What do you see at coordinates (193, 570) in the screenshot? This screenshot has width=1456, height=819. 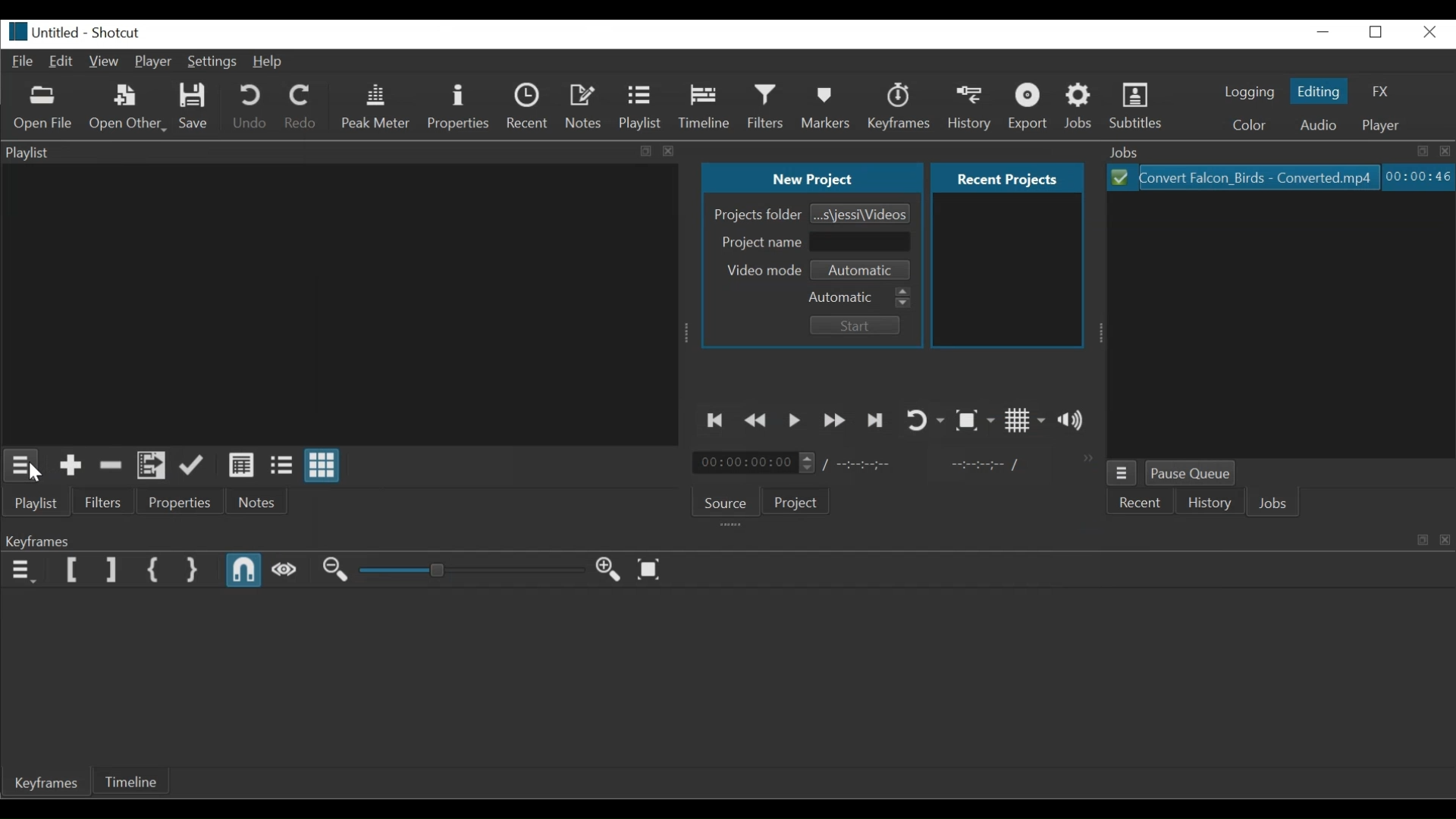 I see `Set Second Simple Keyframe` at bounding box center [193, 570].